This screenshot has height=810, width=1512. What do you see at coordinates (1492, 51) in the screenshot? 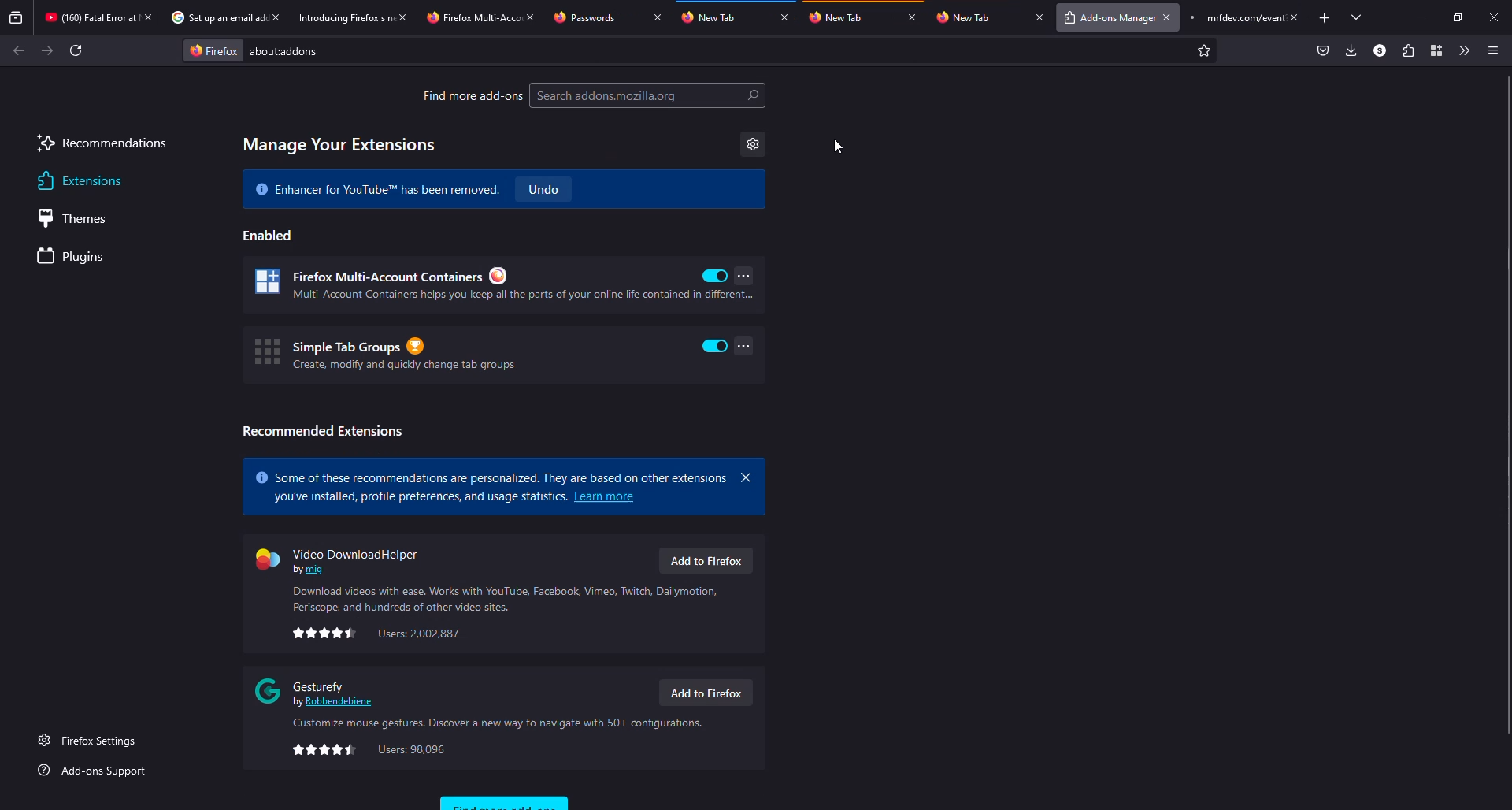
I see `menu` at bounding box center [1492, 51].